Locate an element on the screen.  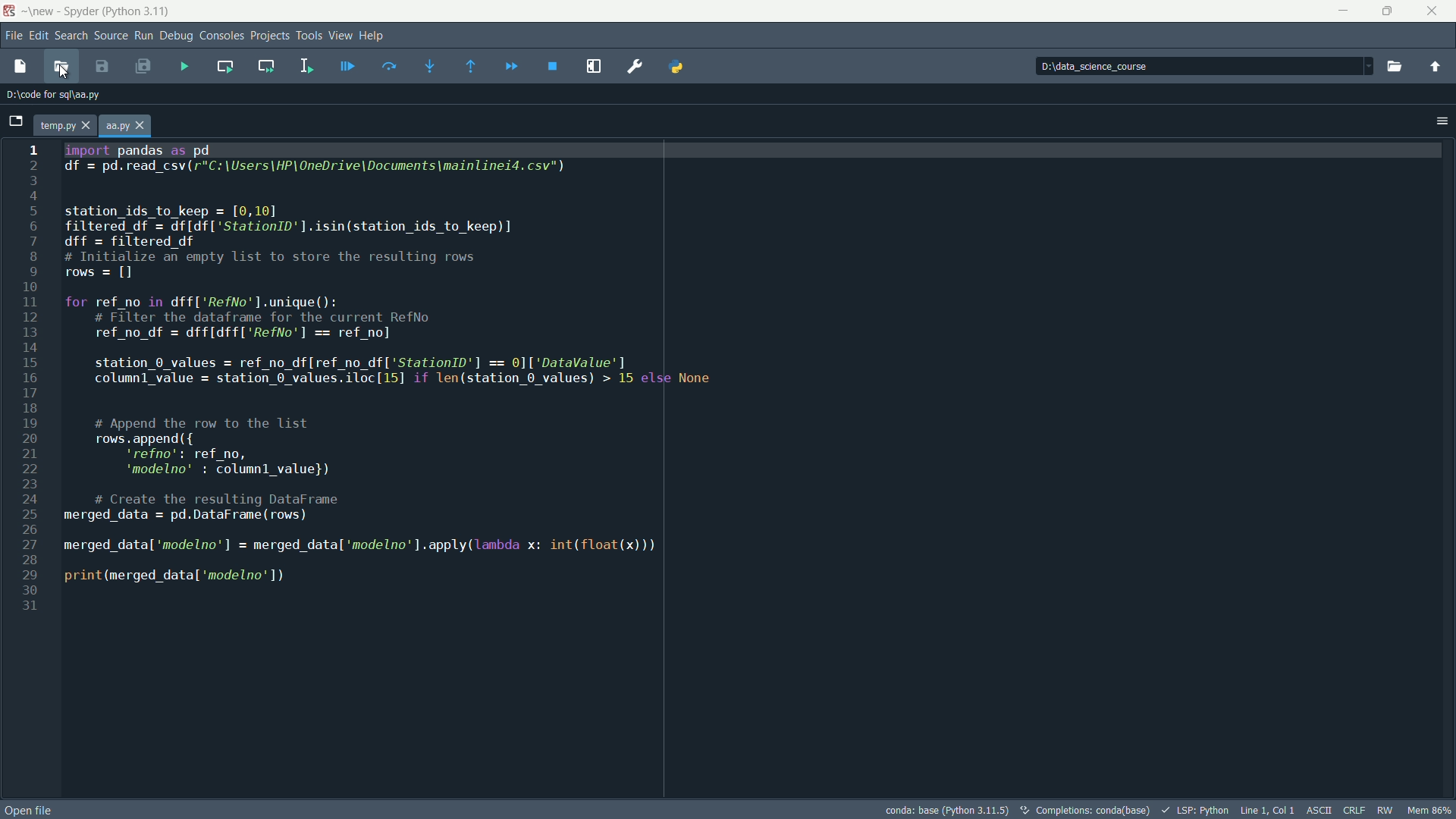
save all files is located at coordinates (144, 67).